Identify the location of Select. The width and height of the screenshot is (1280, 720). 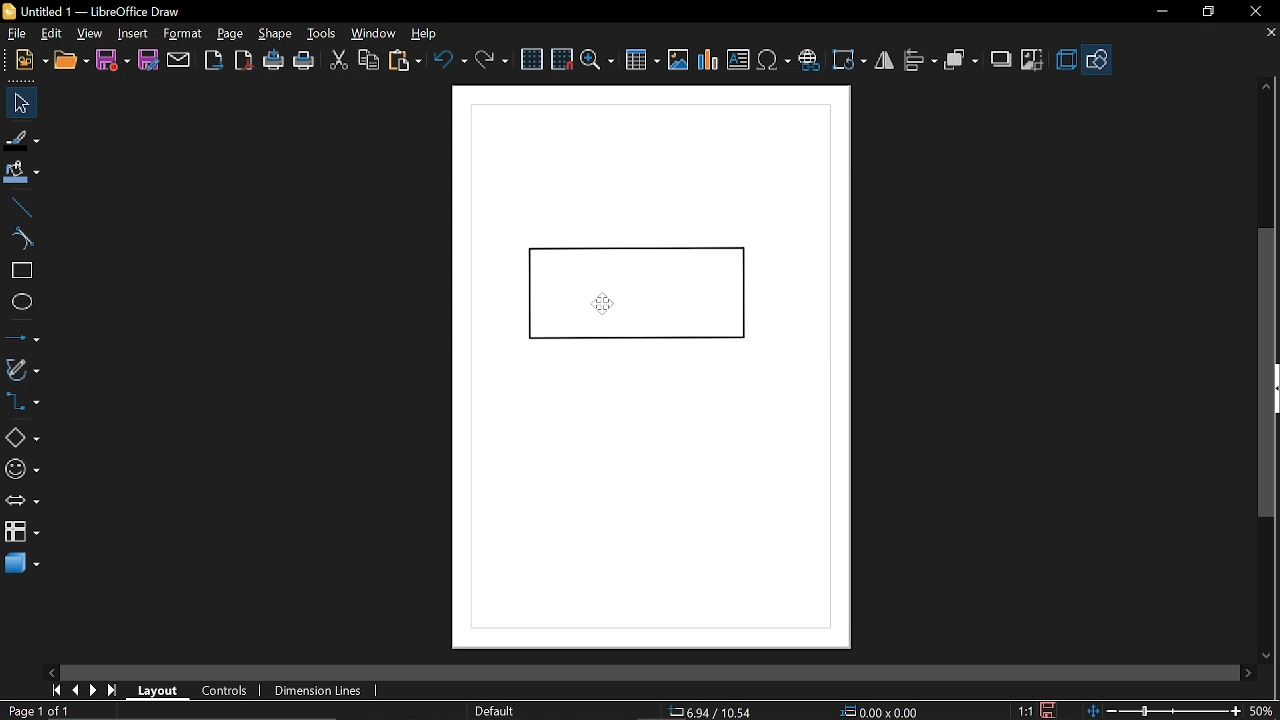
(18, 102).